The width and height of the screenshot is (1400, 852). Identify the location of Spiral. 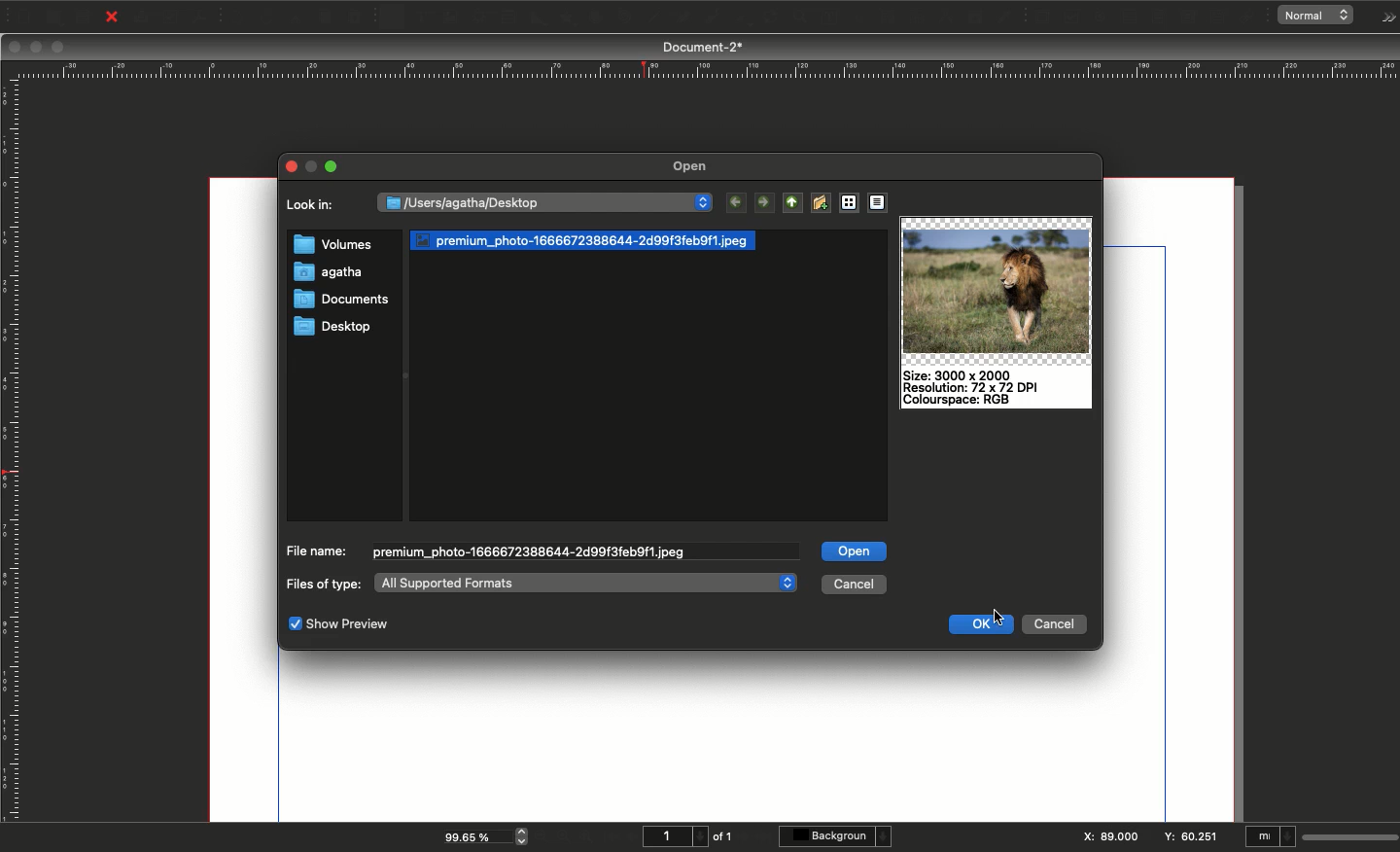
(628, 19).